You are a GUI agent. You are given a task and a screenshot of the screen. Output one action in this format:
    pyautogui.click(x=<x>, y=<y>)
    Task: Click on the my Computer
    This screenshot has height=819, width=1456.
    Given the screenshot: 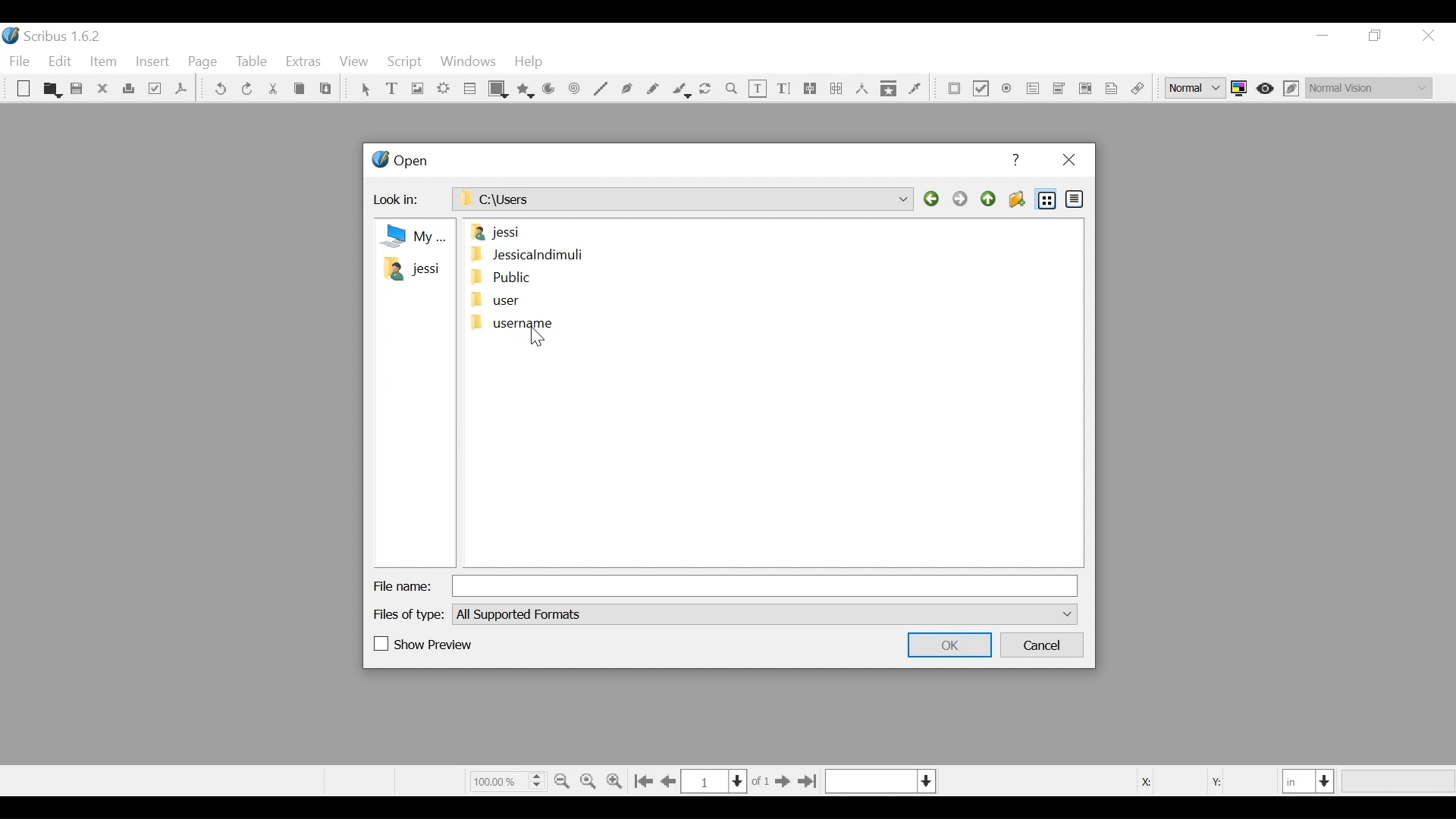 What is the action you would take?
    pyautogui.click(x=412, y=235)
    